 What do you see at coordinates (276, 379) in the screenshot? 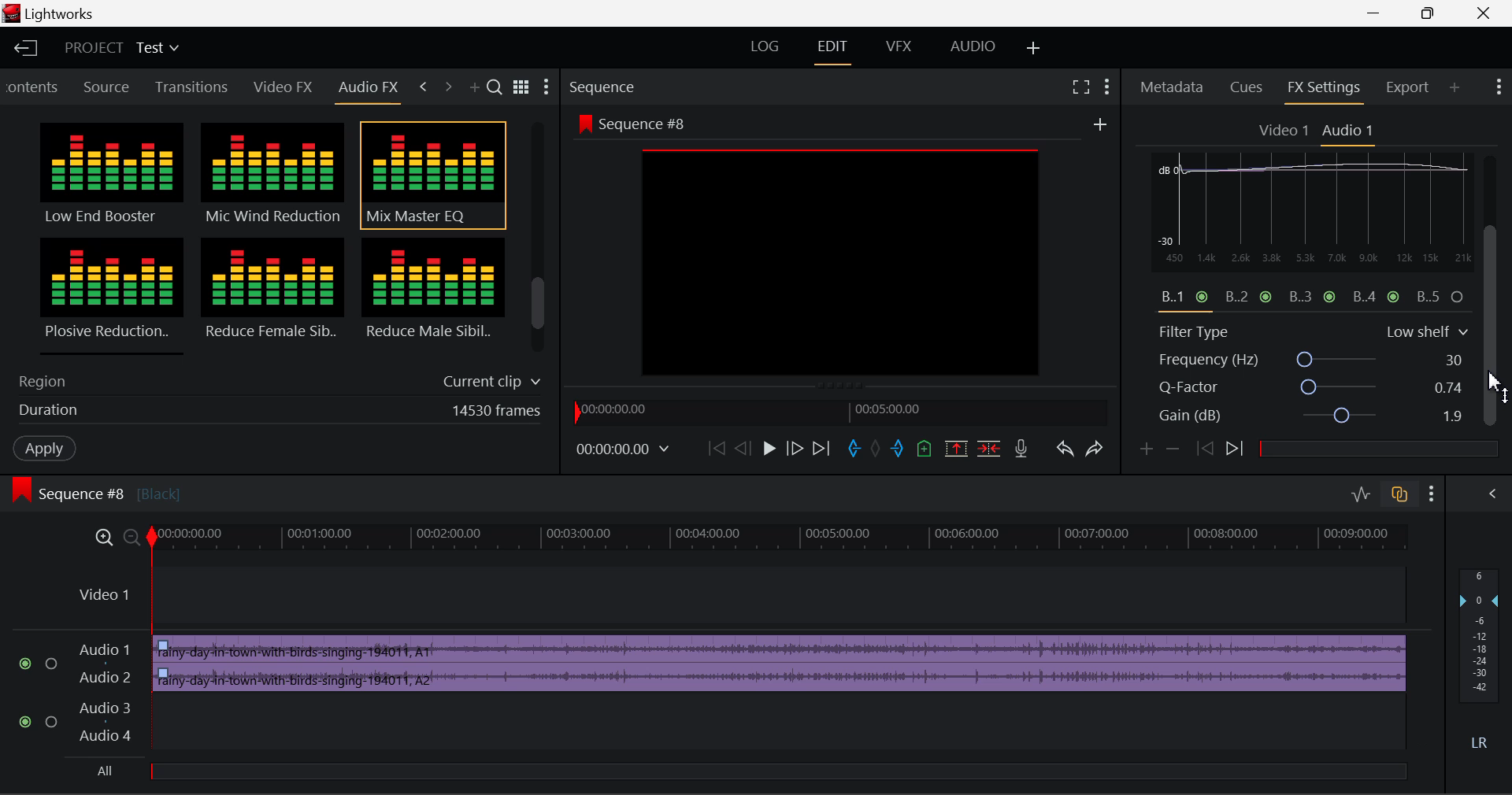
I see `Region` at bounding box center [276, 379].